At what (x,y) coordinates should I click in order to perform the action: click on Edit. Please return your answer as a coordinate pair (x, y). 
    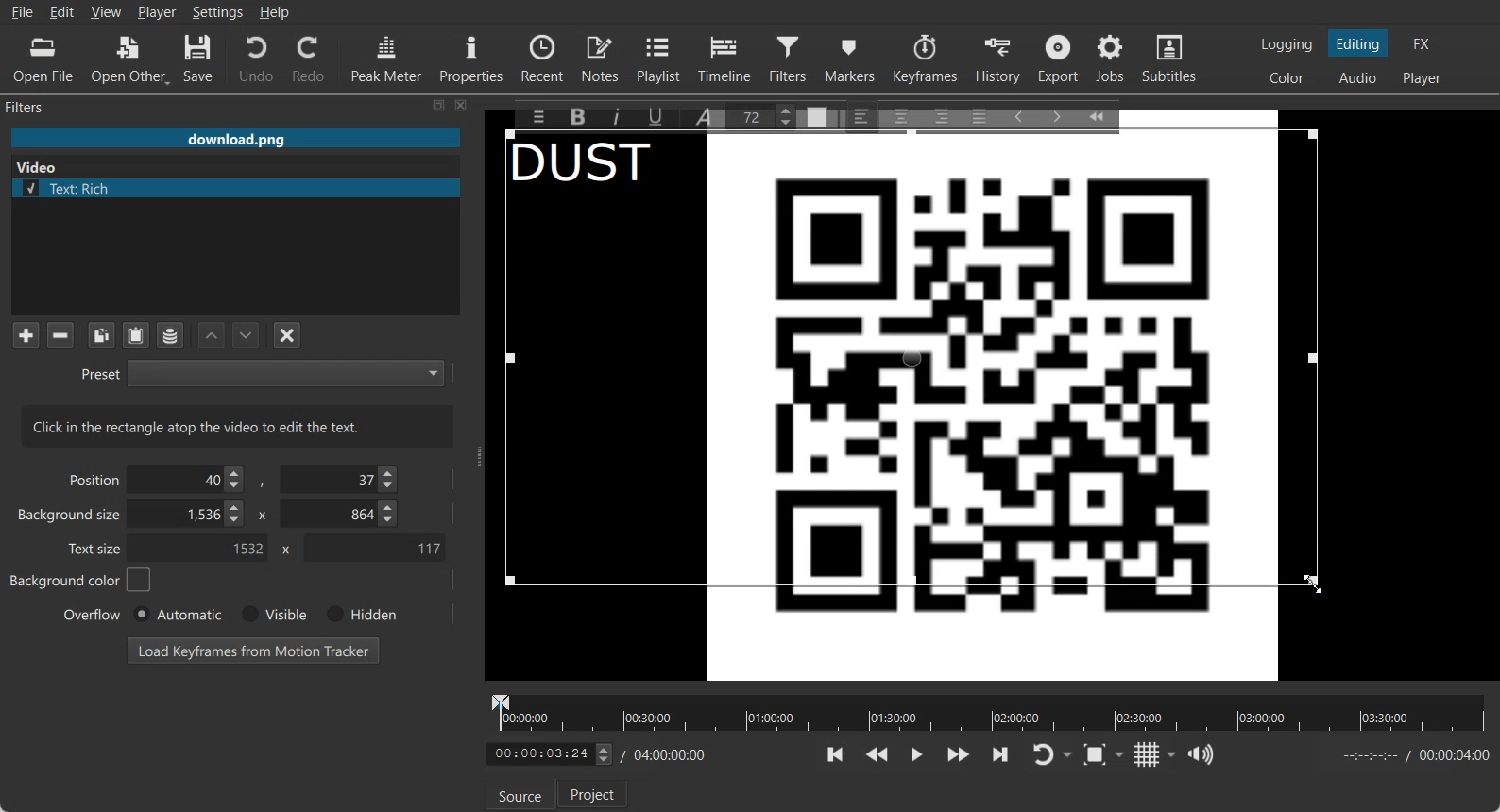
    Looking at the image, I should click on (62, 11).